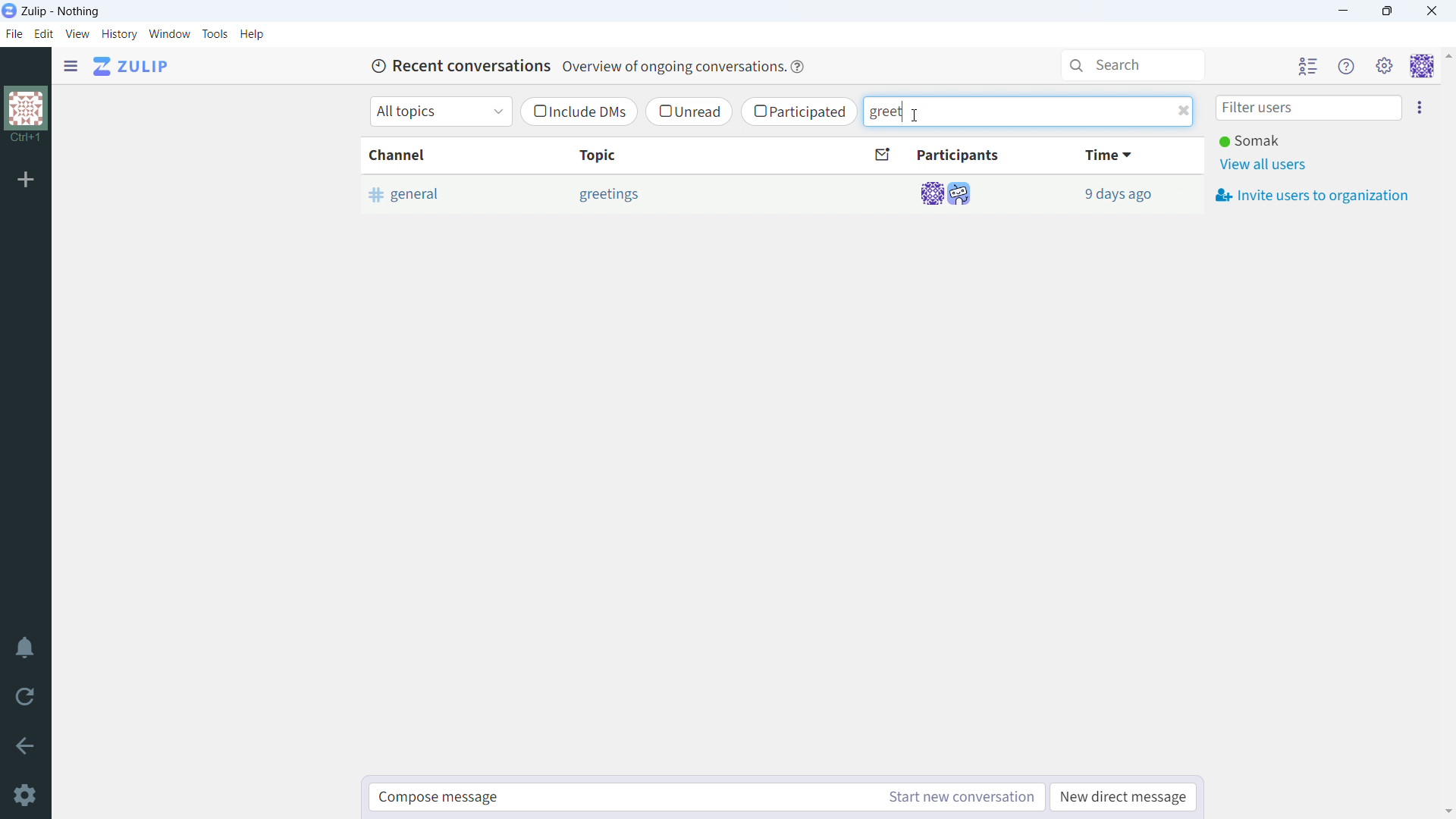 The image size is (1456, 819). Describe the element at coordinates (459, 64) in the screenshot. I see `Recent conversations` at that location.